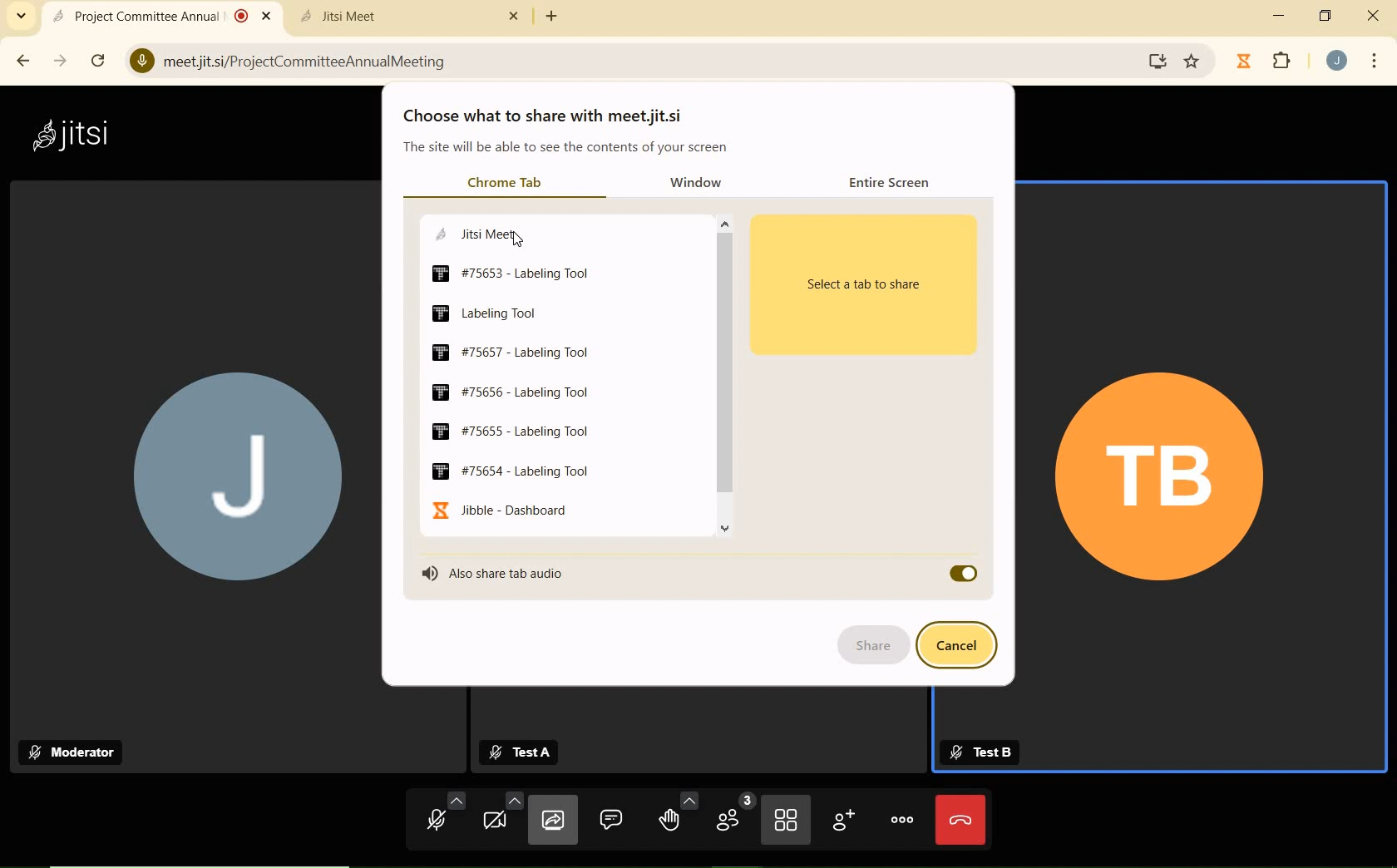 Image resolution: width=1397 pixels, height=868 pixels. Describe the element at coordinates (959, 645) in the screenshot. I see `cancel` at that location.